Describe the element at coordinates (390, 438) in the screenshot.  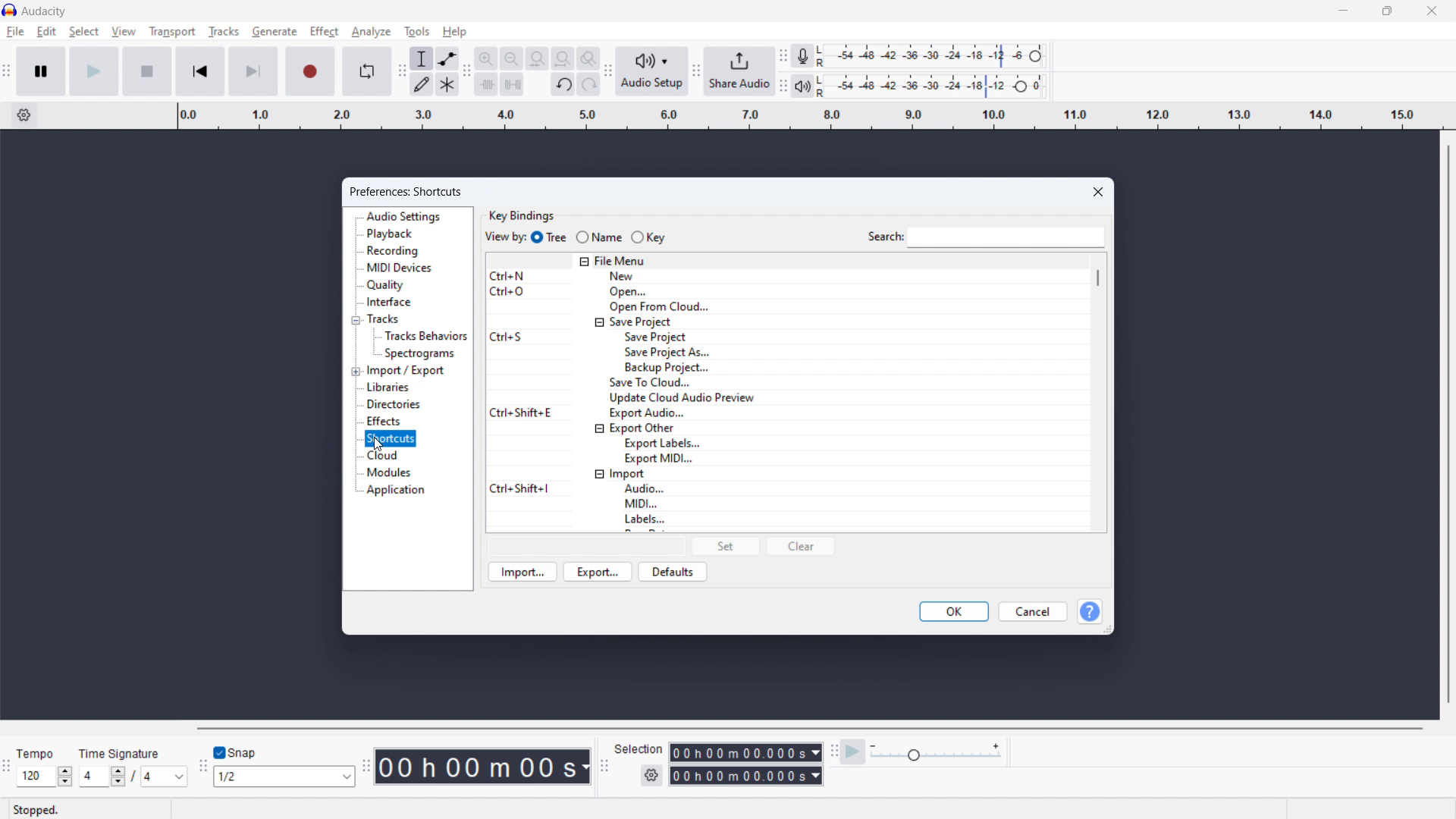
I see `shortcuts selected` at that location.